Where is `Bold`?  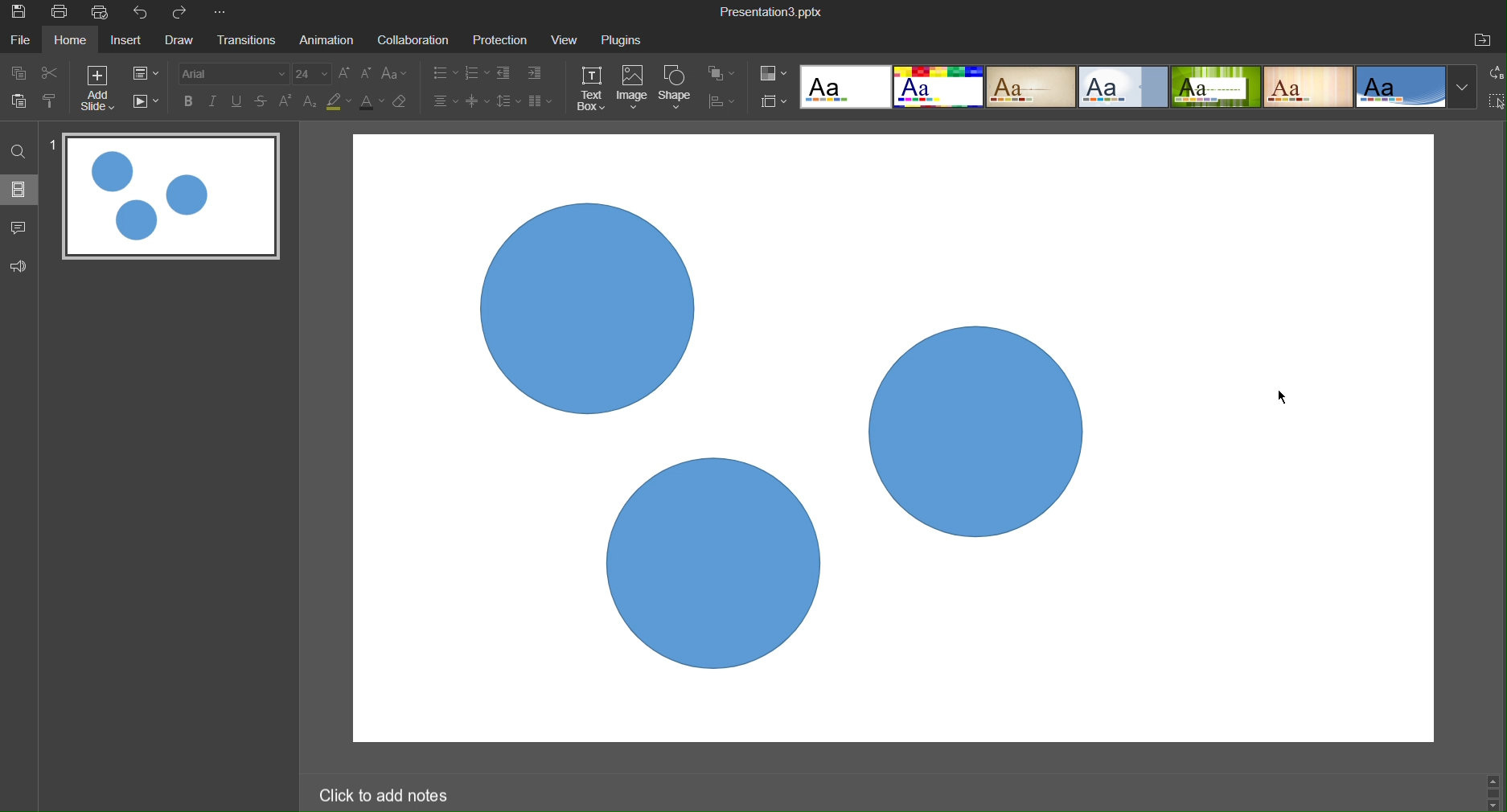 Bold is located at coordinates (190, 101).